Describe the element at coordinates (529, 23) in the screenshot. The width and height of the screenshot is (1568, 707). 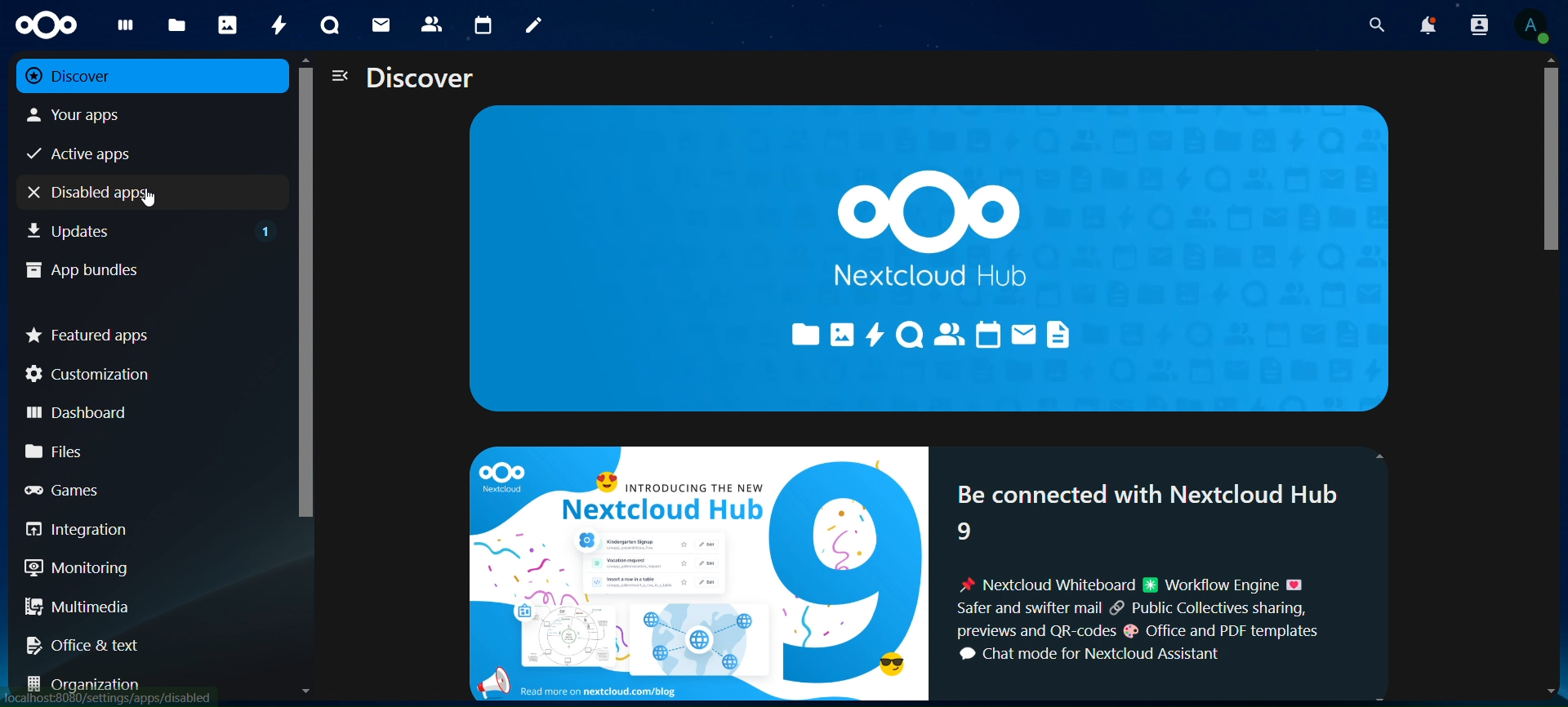
I see `notes` at that location.